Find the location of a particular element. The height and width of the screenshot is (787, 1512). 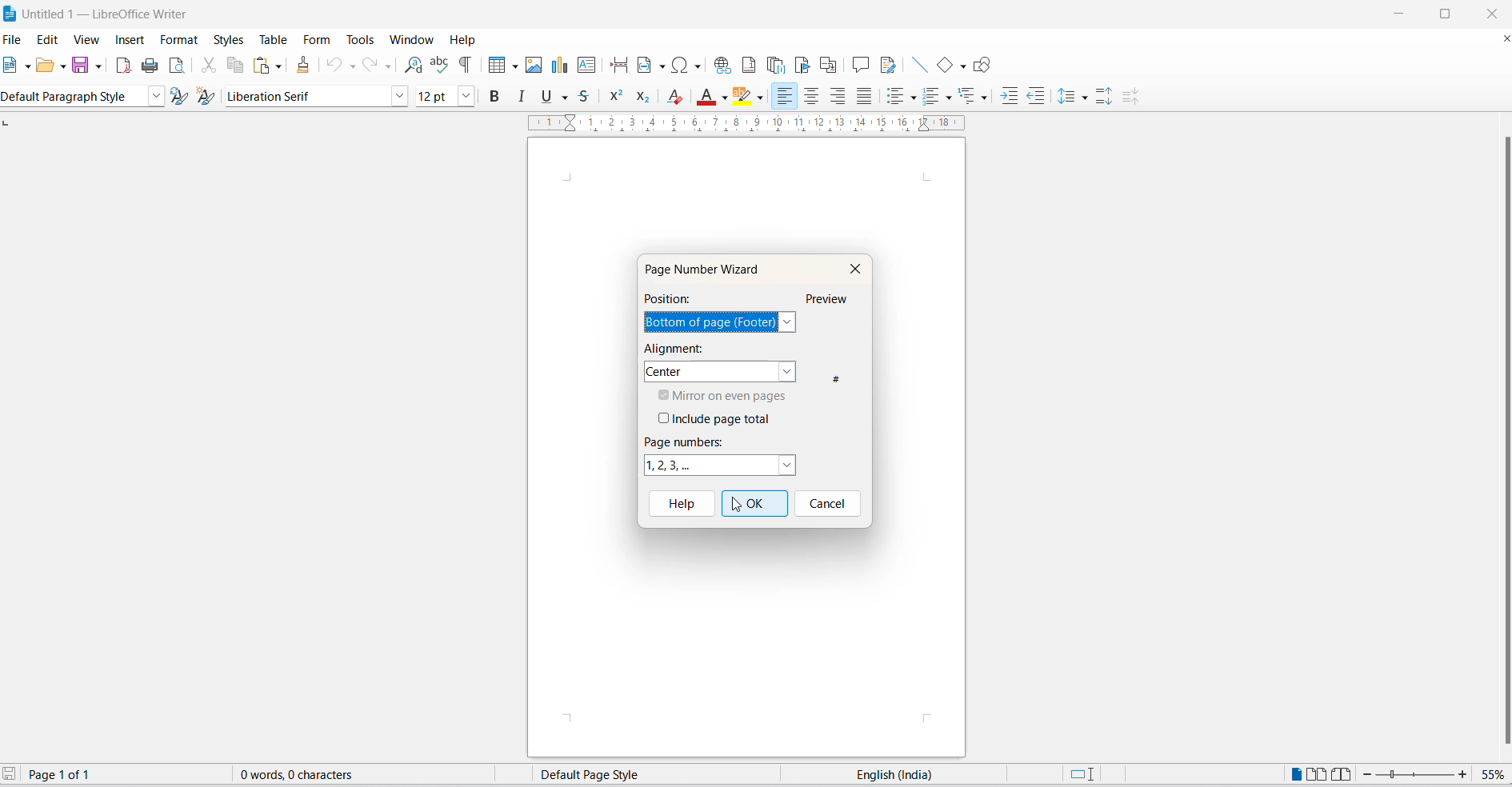

copy is located at coordinates (236, 66).